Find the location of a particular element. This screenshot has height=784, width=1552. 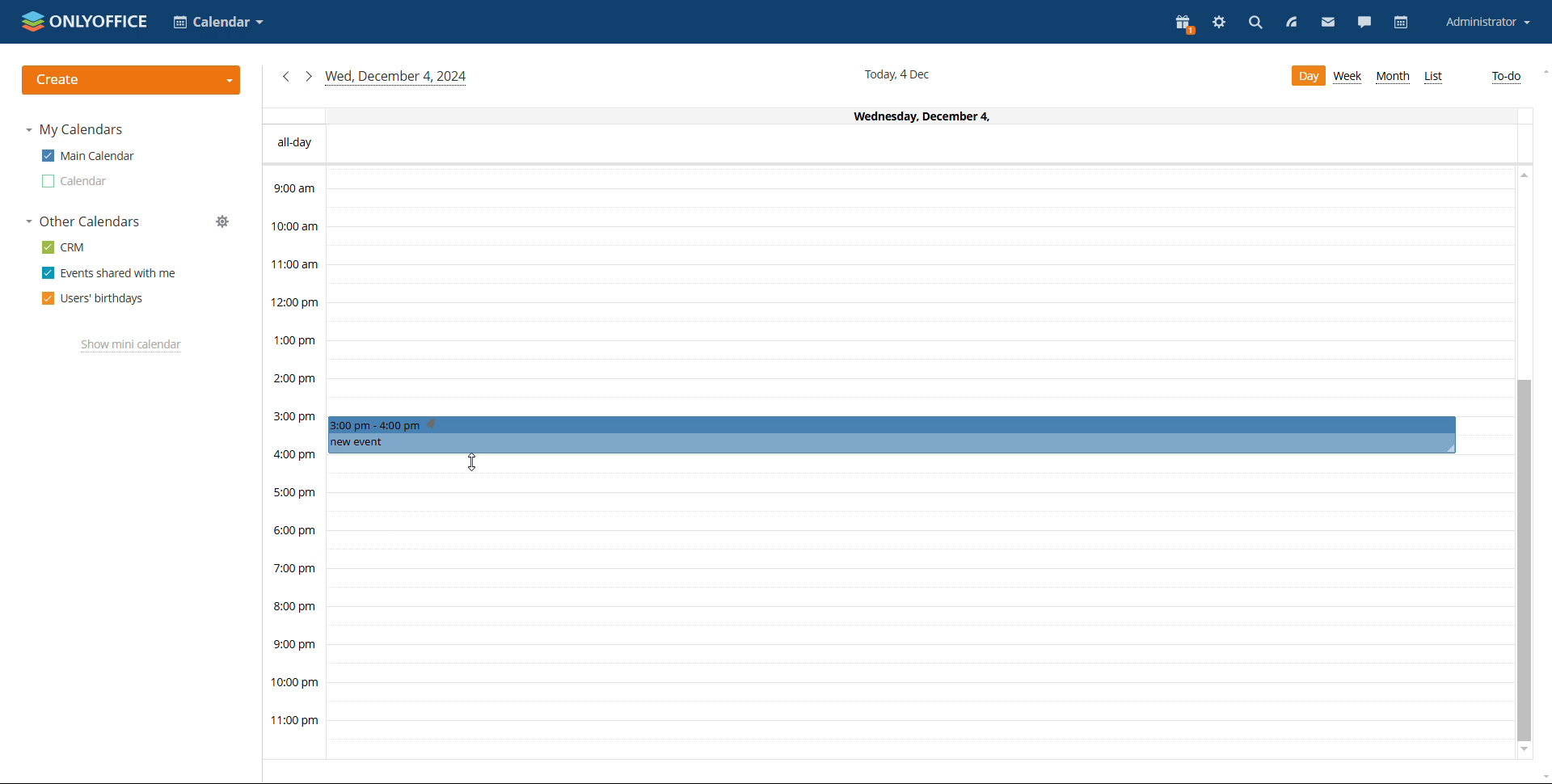

account is located at coordinates (1487, 22).